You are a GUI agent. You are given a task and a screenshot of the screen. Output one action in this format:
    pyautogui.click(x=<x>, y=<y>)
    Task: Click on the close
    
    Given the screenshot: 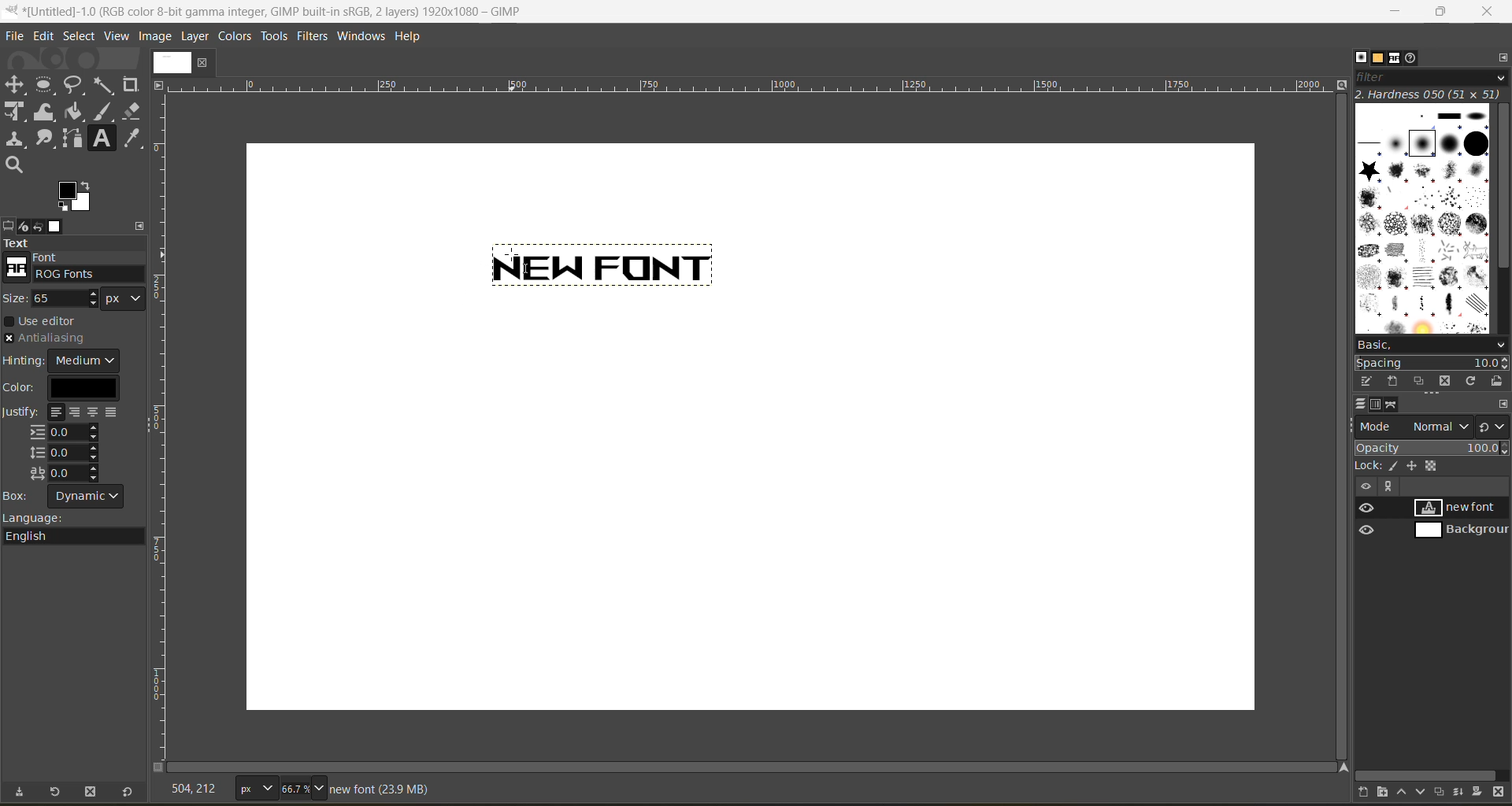 What is the action you would take?
    pyautogui.click(x=208, y=60)
    